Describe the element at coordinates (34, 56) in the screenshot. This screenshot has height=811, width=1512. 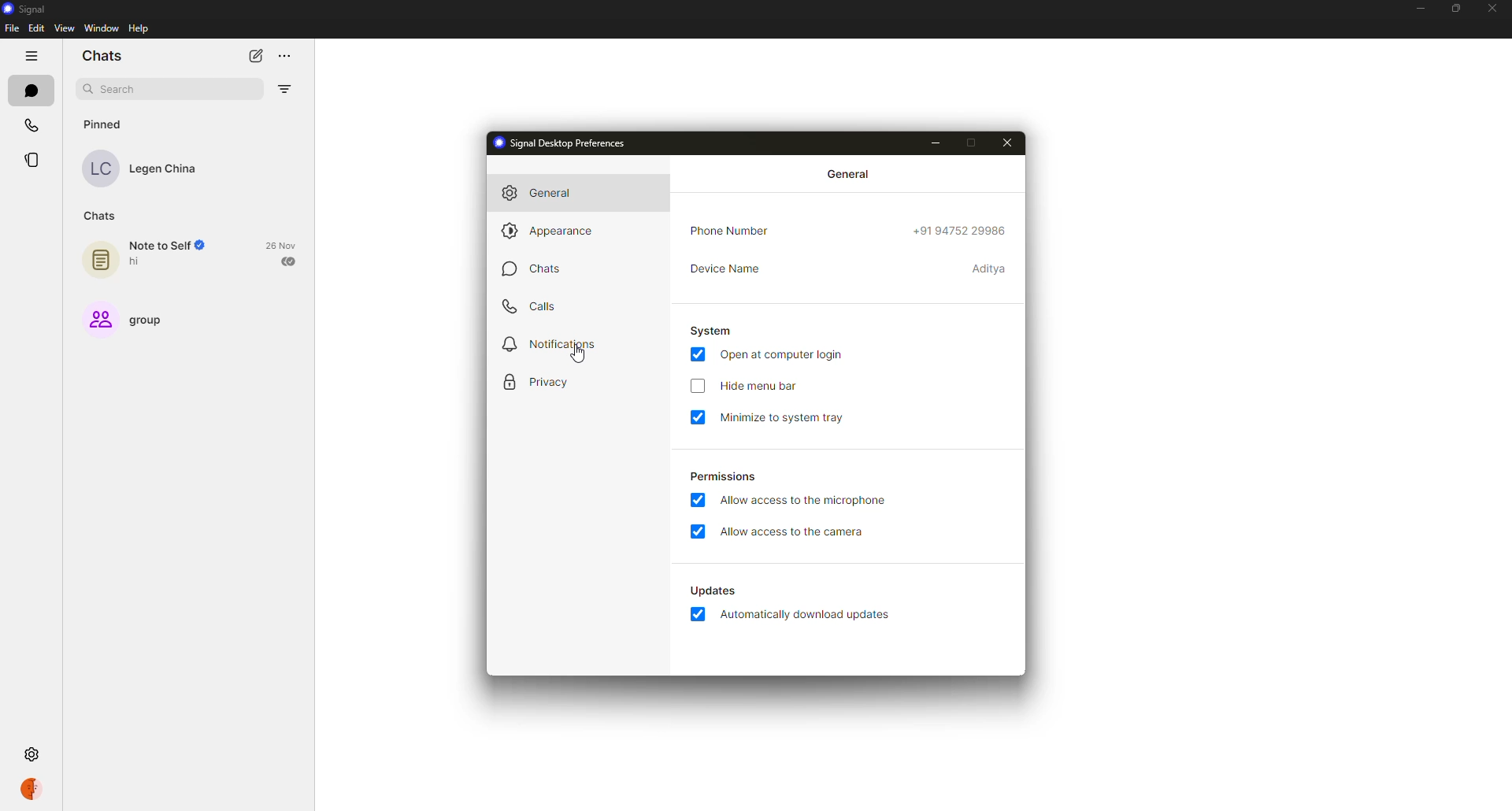
I see `hide tabs` at that location.